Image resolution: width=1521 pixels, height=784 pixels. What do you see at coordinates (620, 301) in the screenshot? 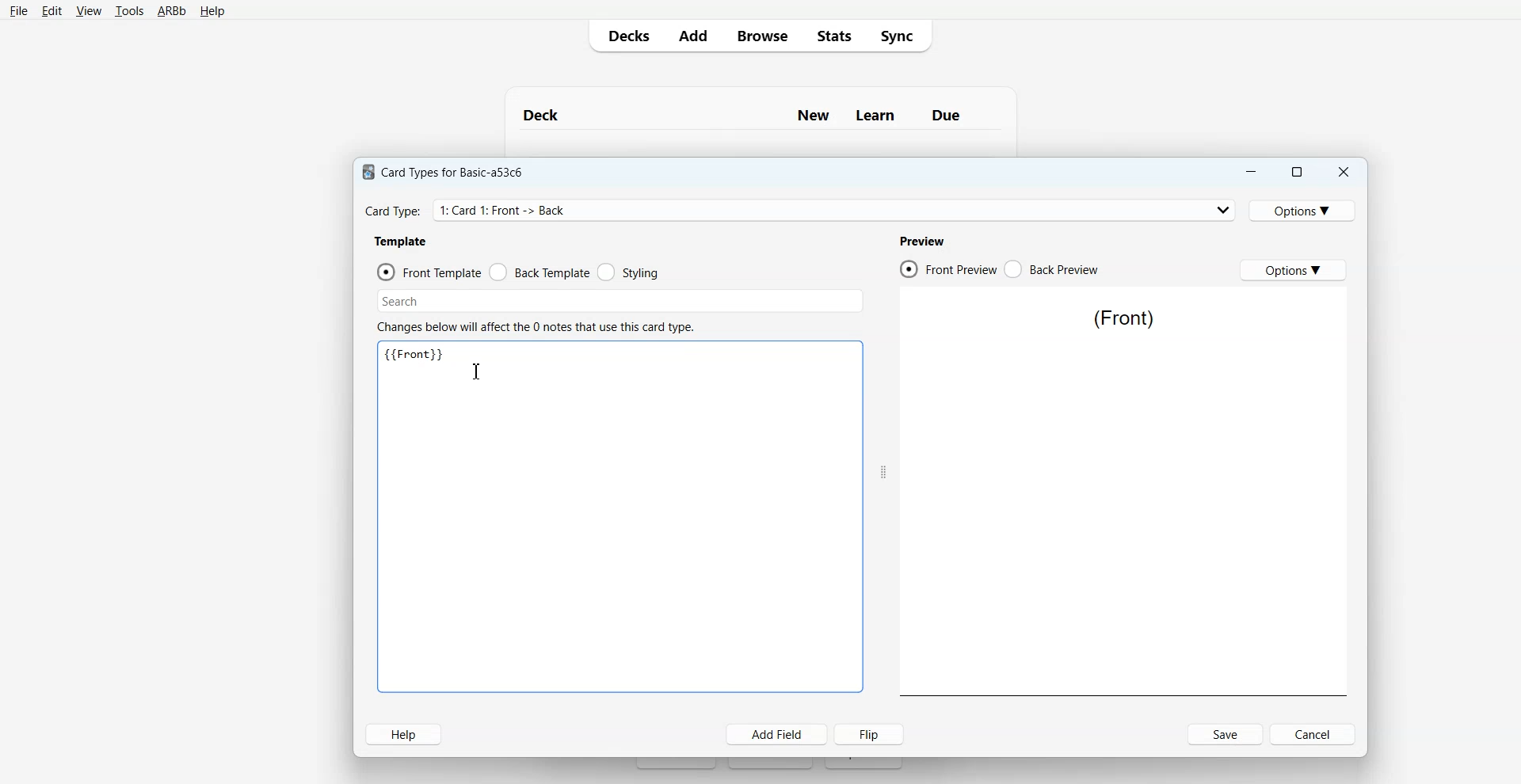
I see `Search Bar` at bounding box center [620, 301].